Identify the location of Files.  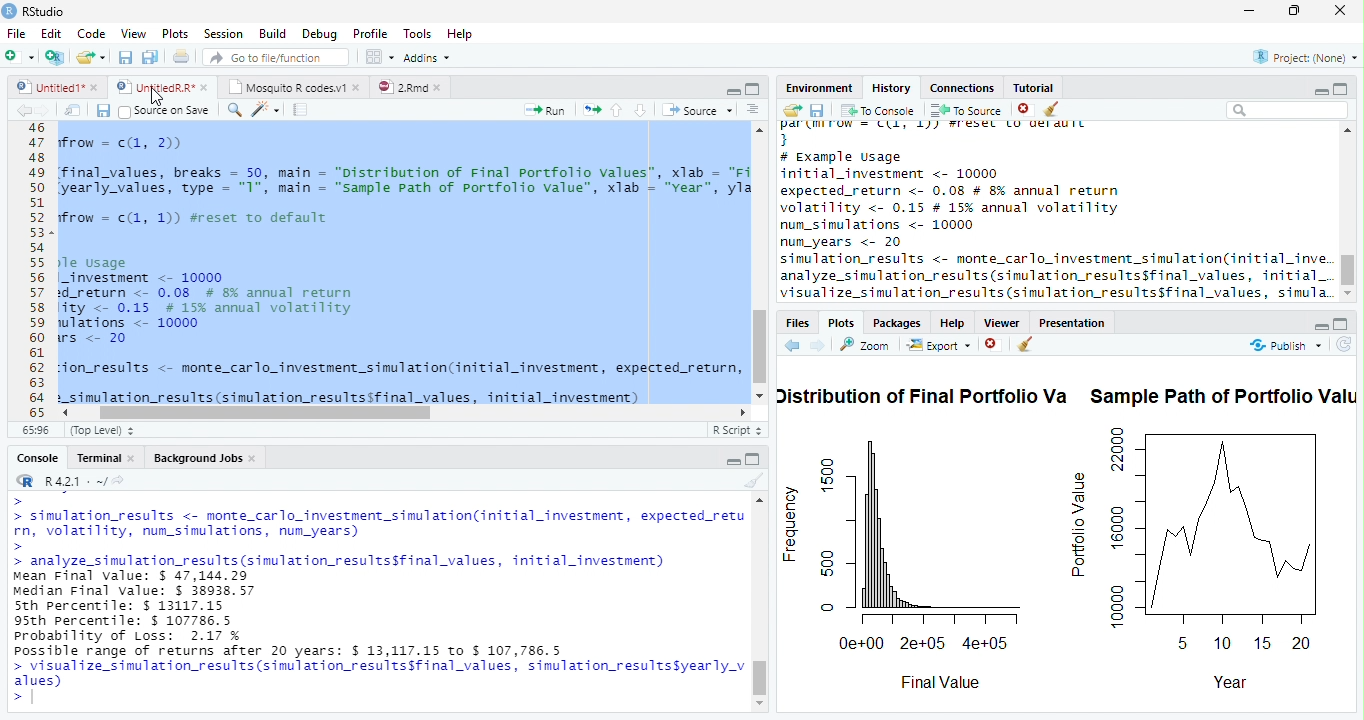
(798, 322).